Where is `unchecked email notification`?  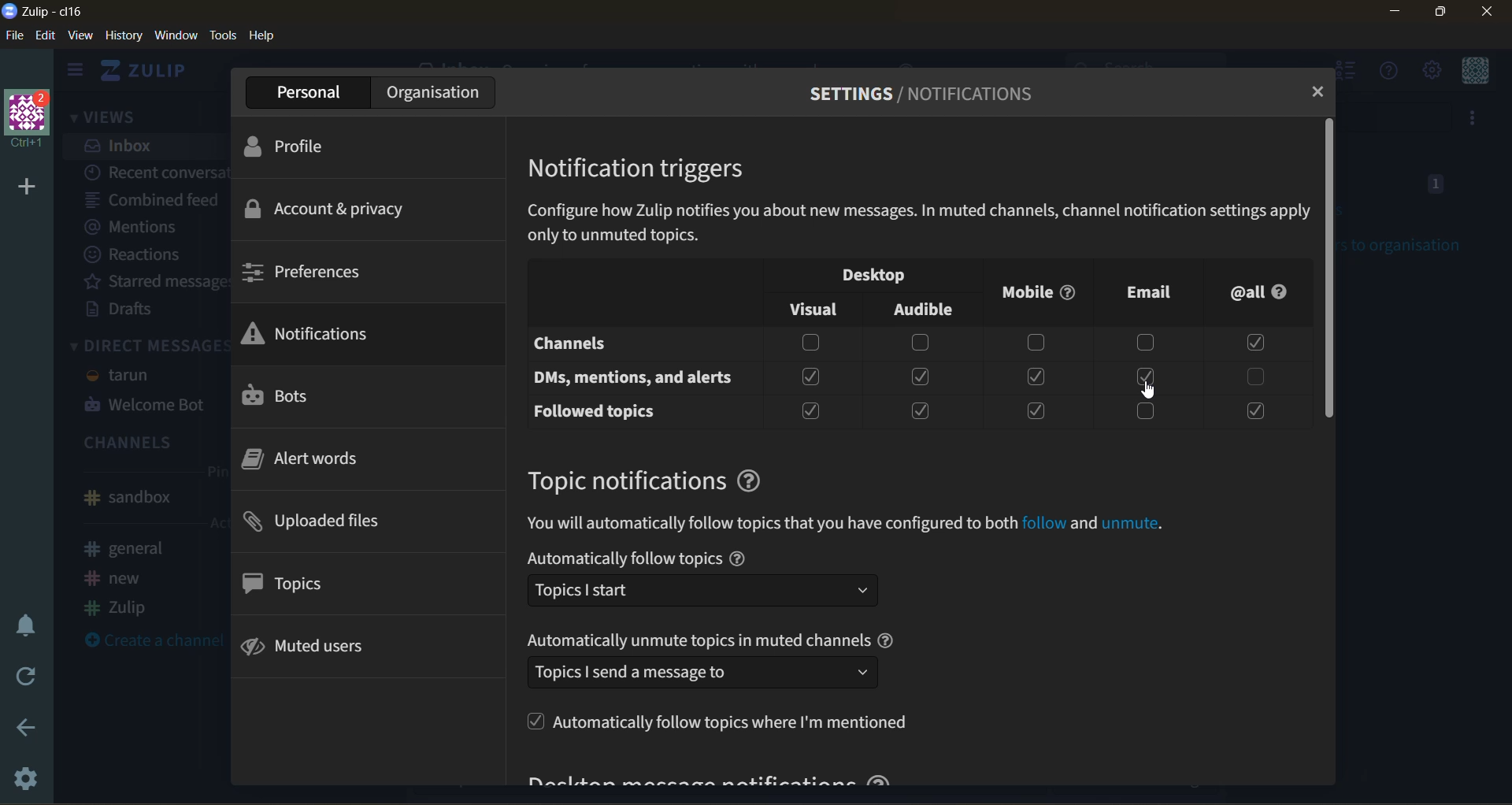 unchecked email notification is located at coordinates (1144, 377).